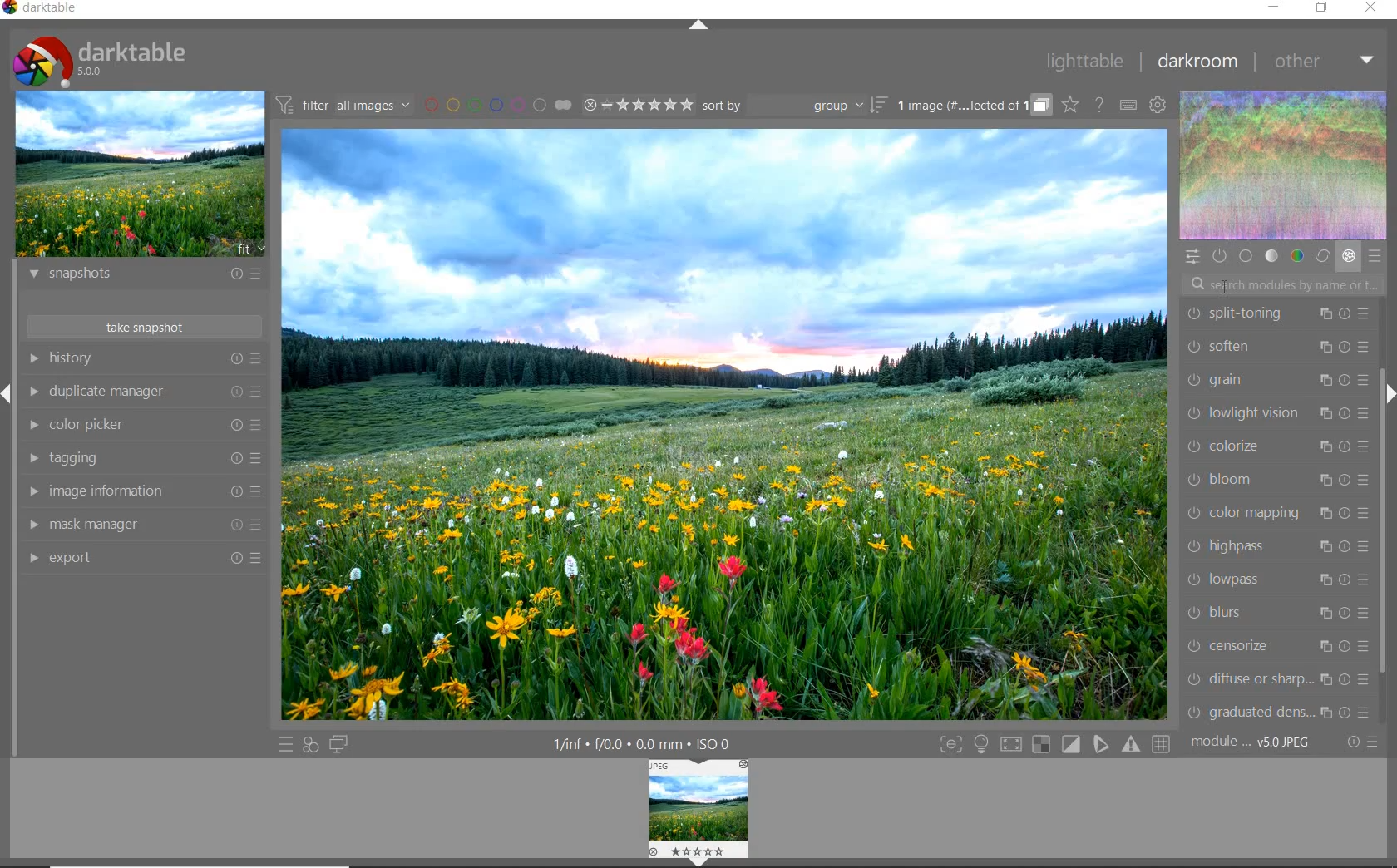  Describe the element at coordinates (1127, 106) in the screenshot. I see `set keyboard shortcuts` at that location.